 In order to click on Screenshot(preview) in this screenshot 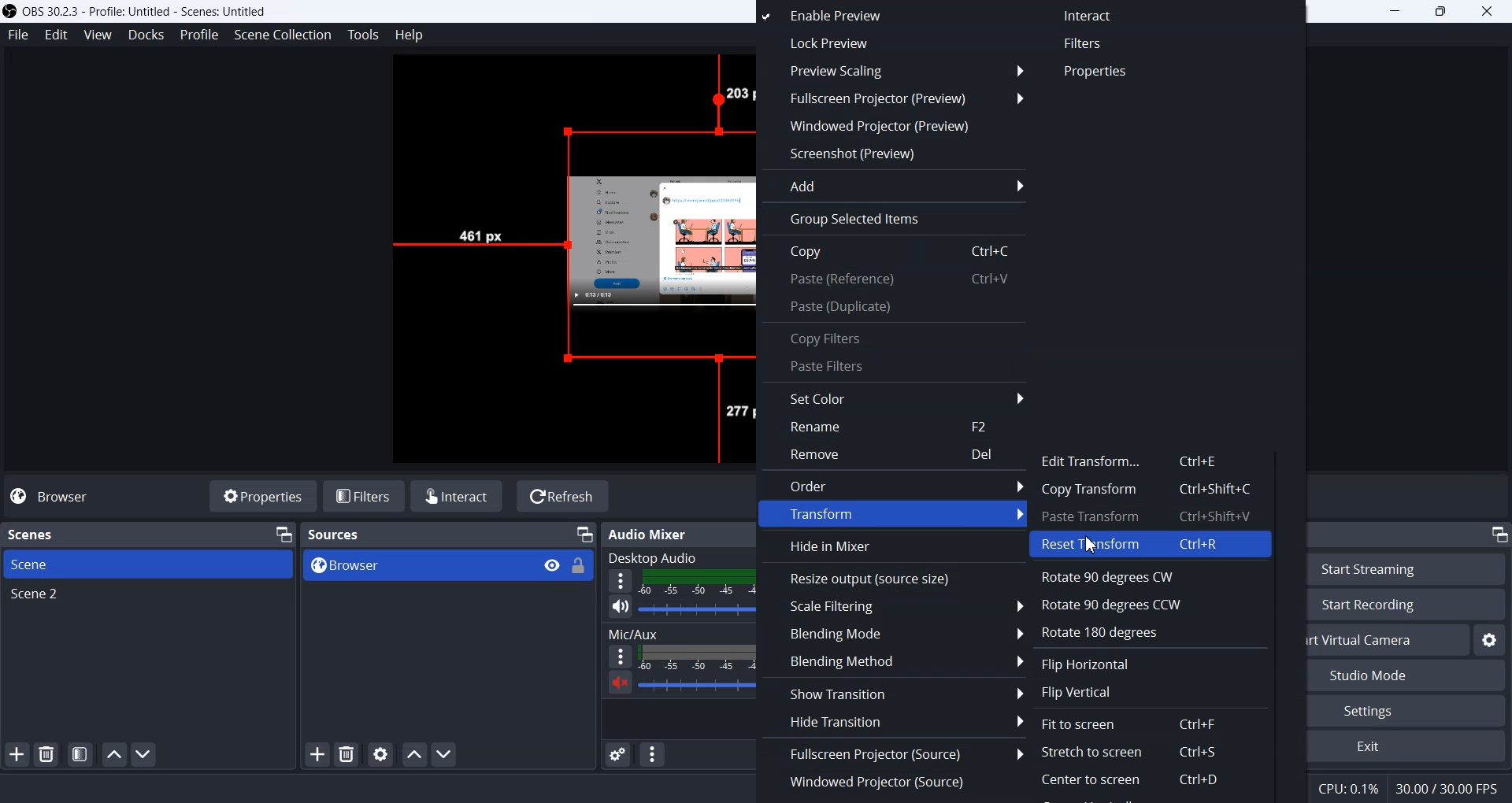, I will do `click(895, 154)`.